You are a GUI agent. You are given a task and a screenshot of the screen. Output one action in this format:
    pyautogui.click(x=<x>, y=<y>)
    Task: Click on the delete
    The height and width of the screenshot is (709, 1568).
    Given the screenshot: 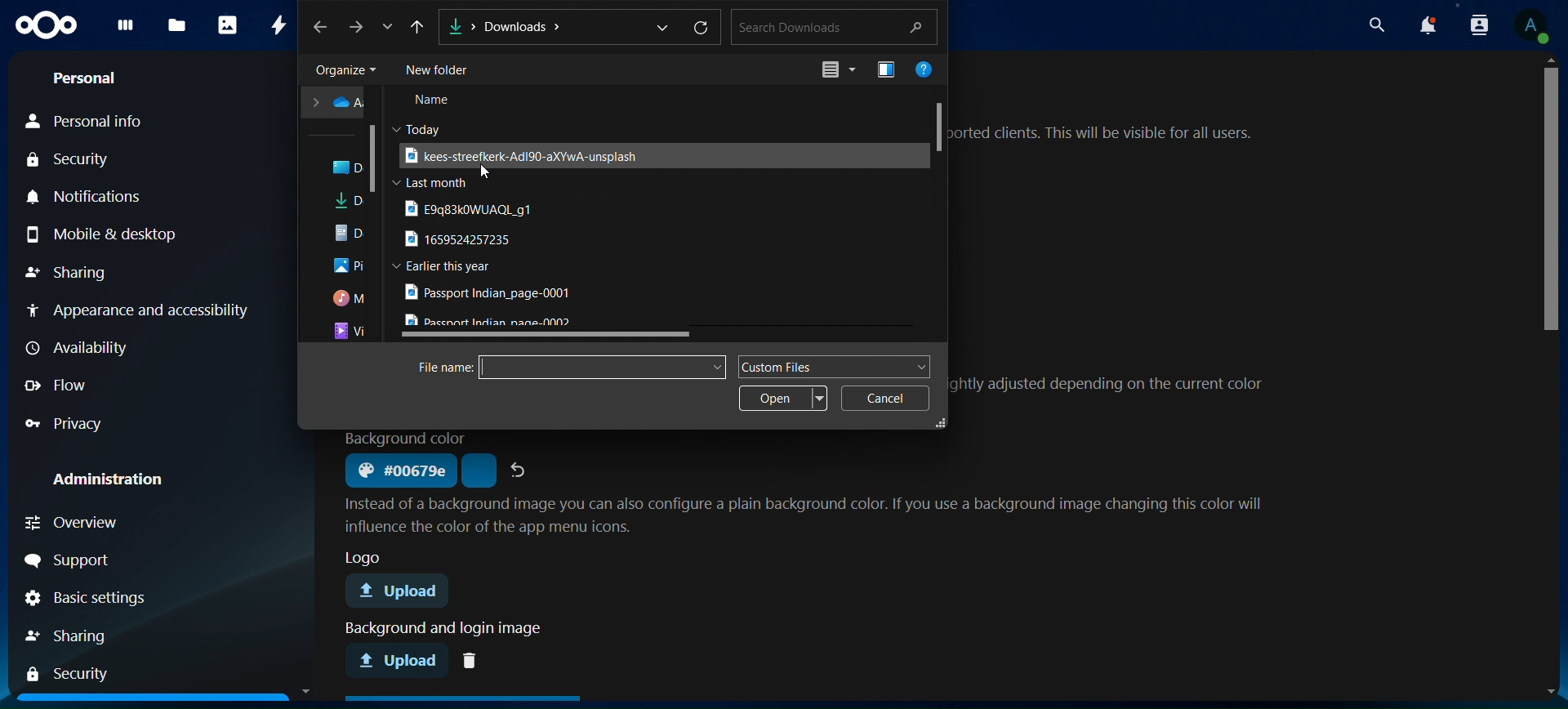 What is the action you would take?
    pyautogui.click(x=474, y=659)
    